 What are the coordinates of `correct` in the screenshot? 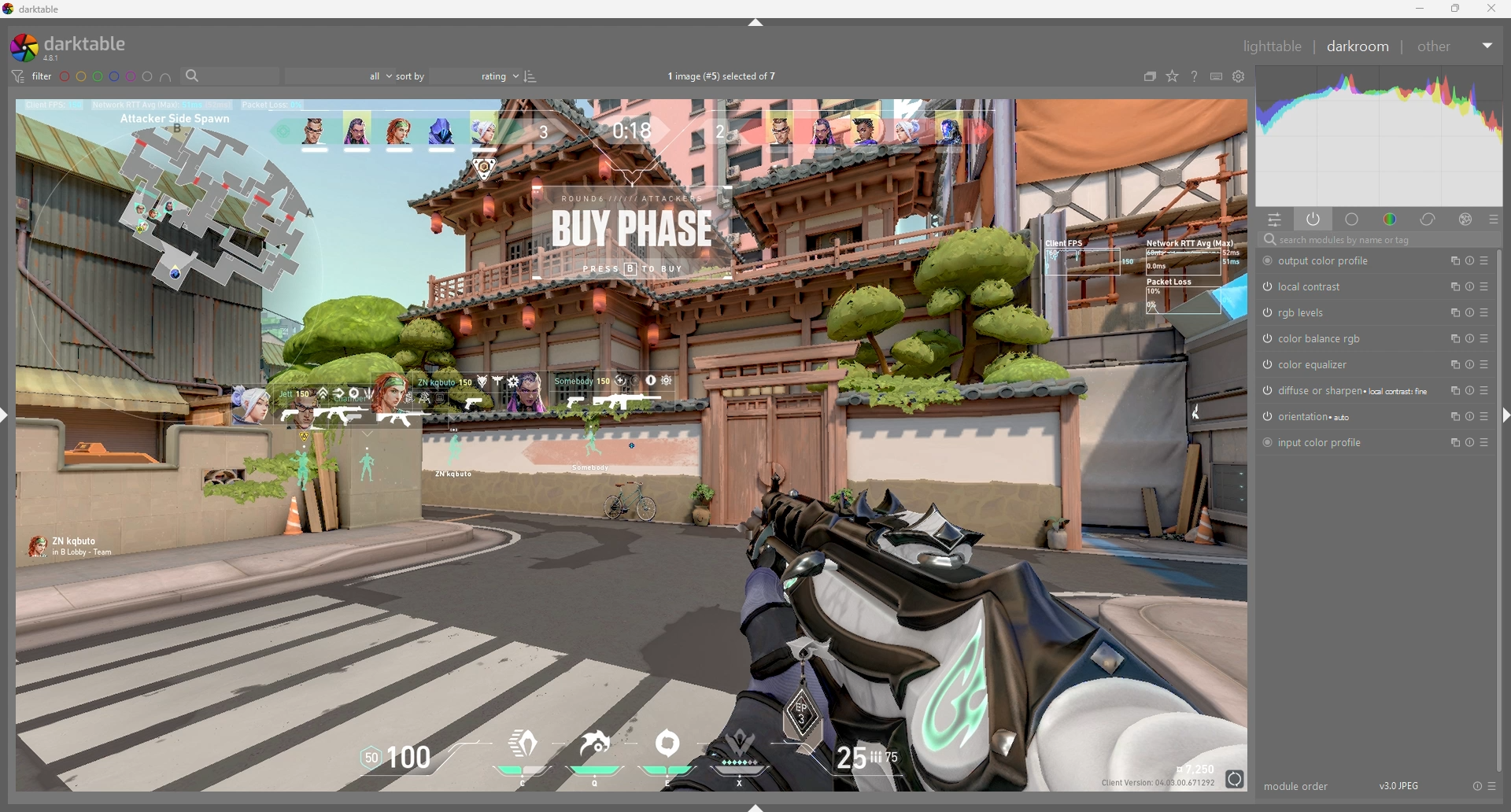 It's located at (1429, 219).